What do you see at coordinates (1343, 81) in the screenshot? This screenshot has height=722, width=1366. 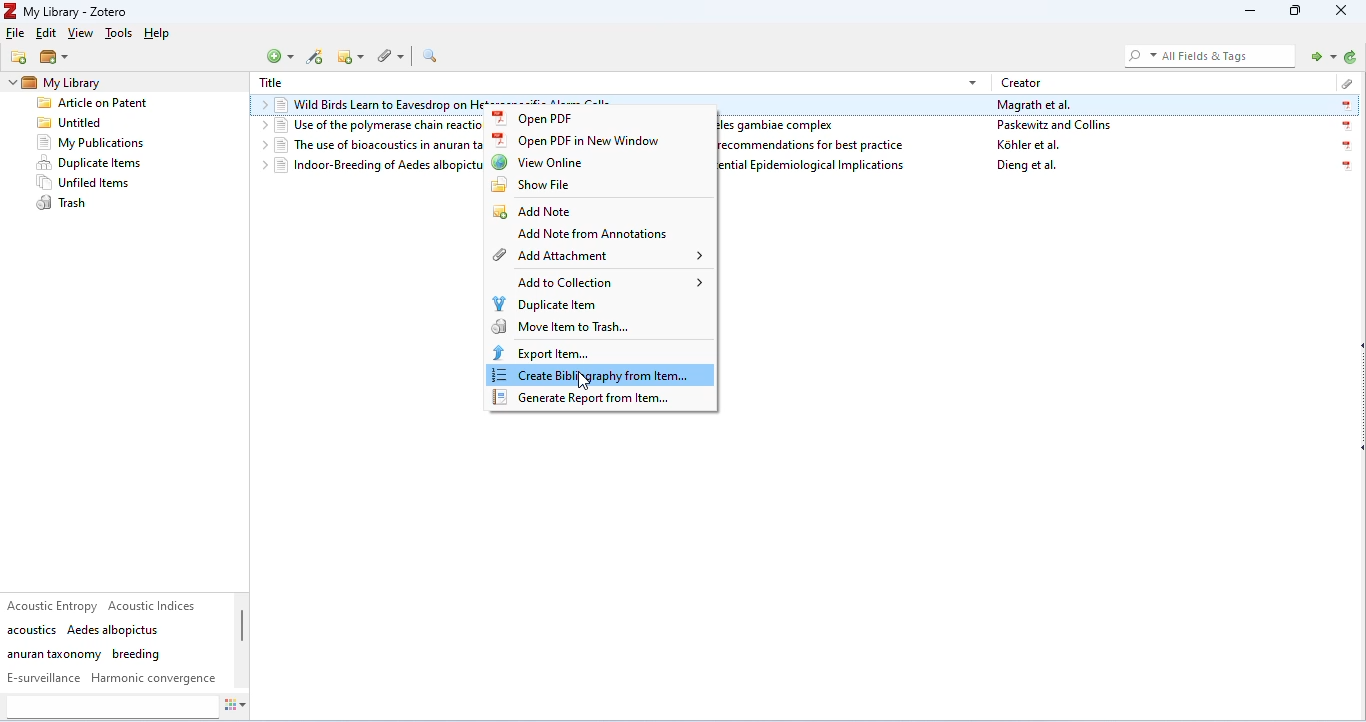 I see `attachment` at bounding box center [1343, 81].